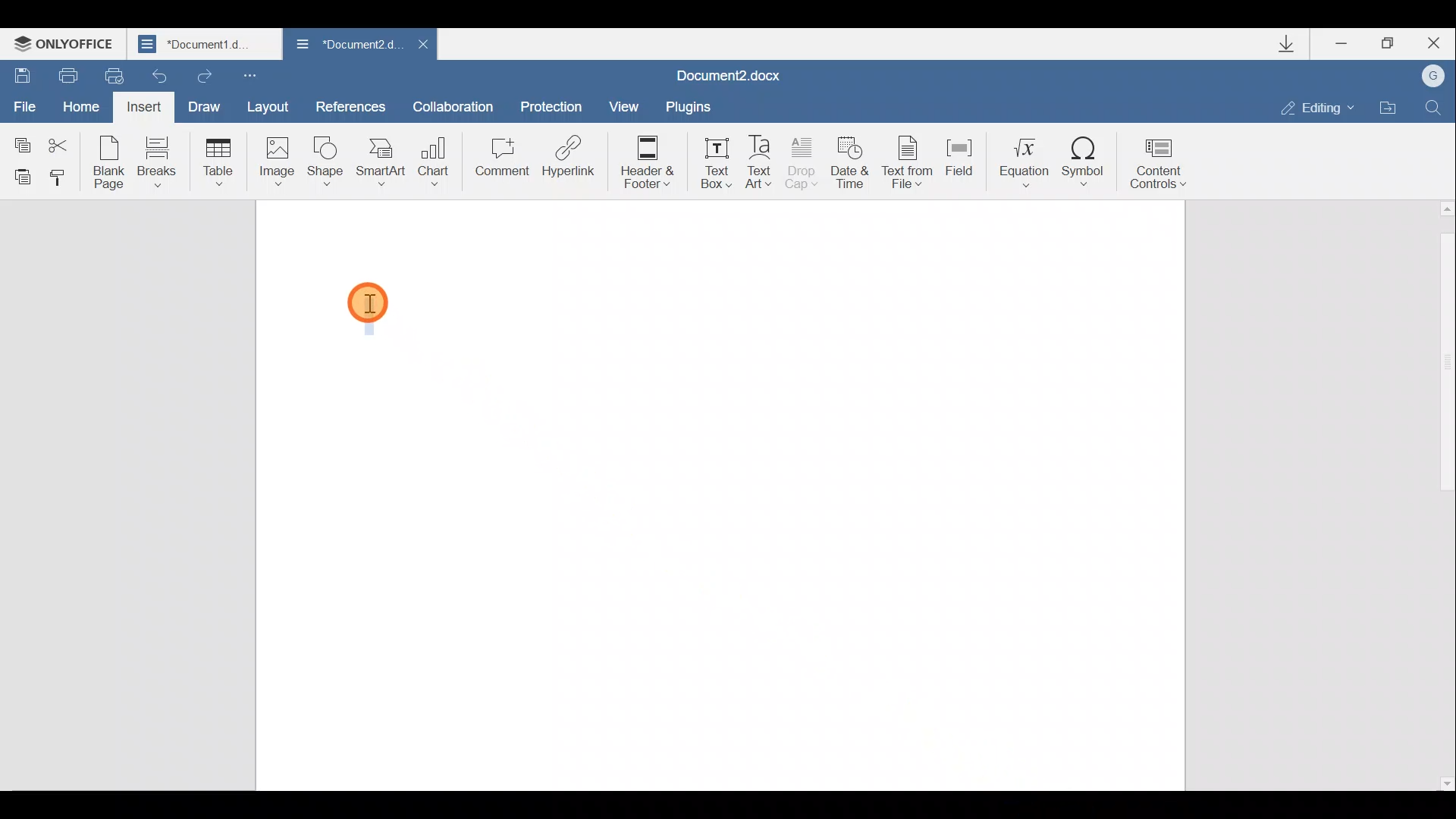 This screenshot has height=819, width=1456. Describe the element at coordinates (1394, 42) in the screenshot. I see `Maximize` at that location.